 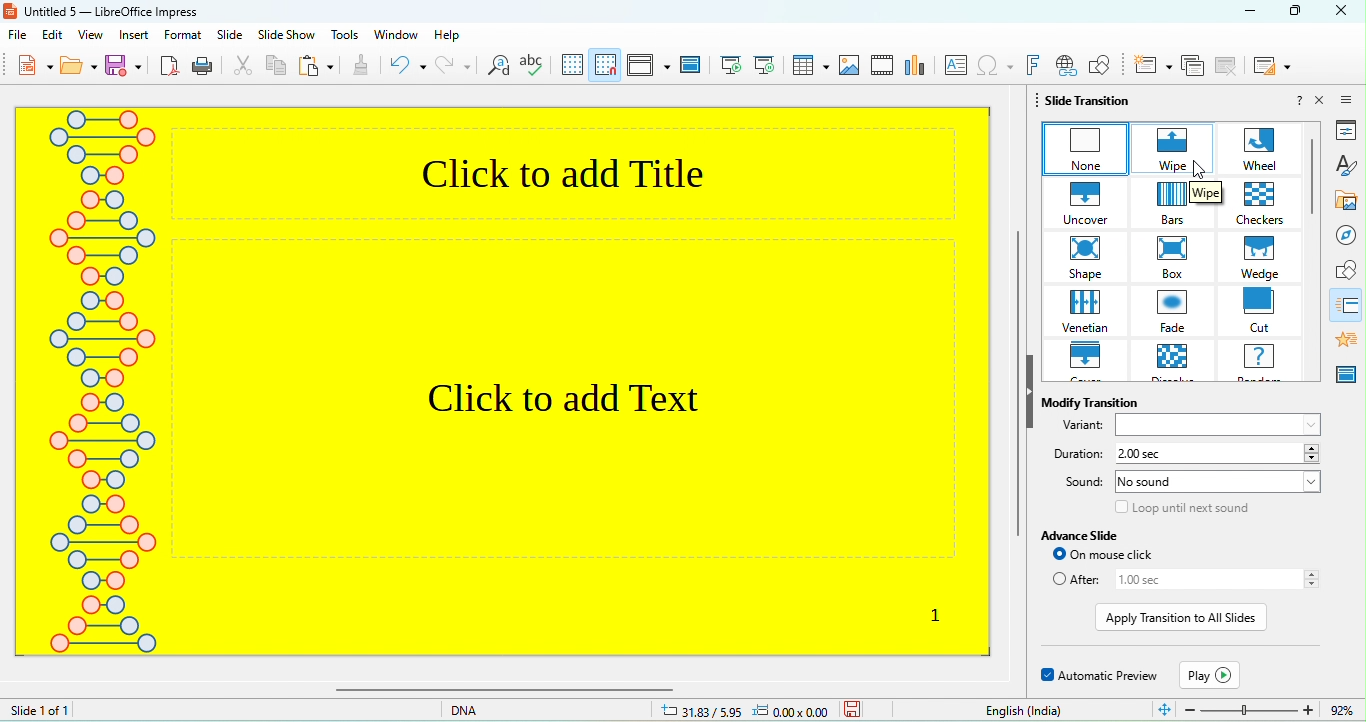 I want to click on vedio, so click(x=883, y=66).